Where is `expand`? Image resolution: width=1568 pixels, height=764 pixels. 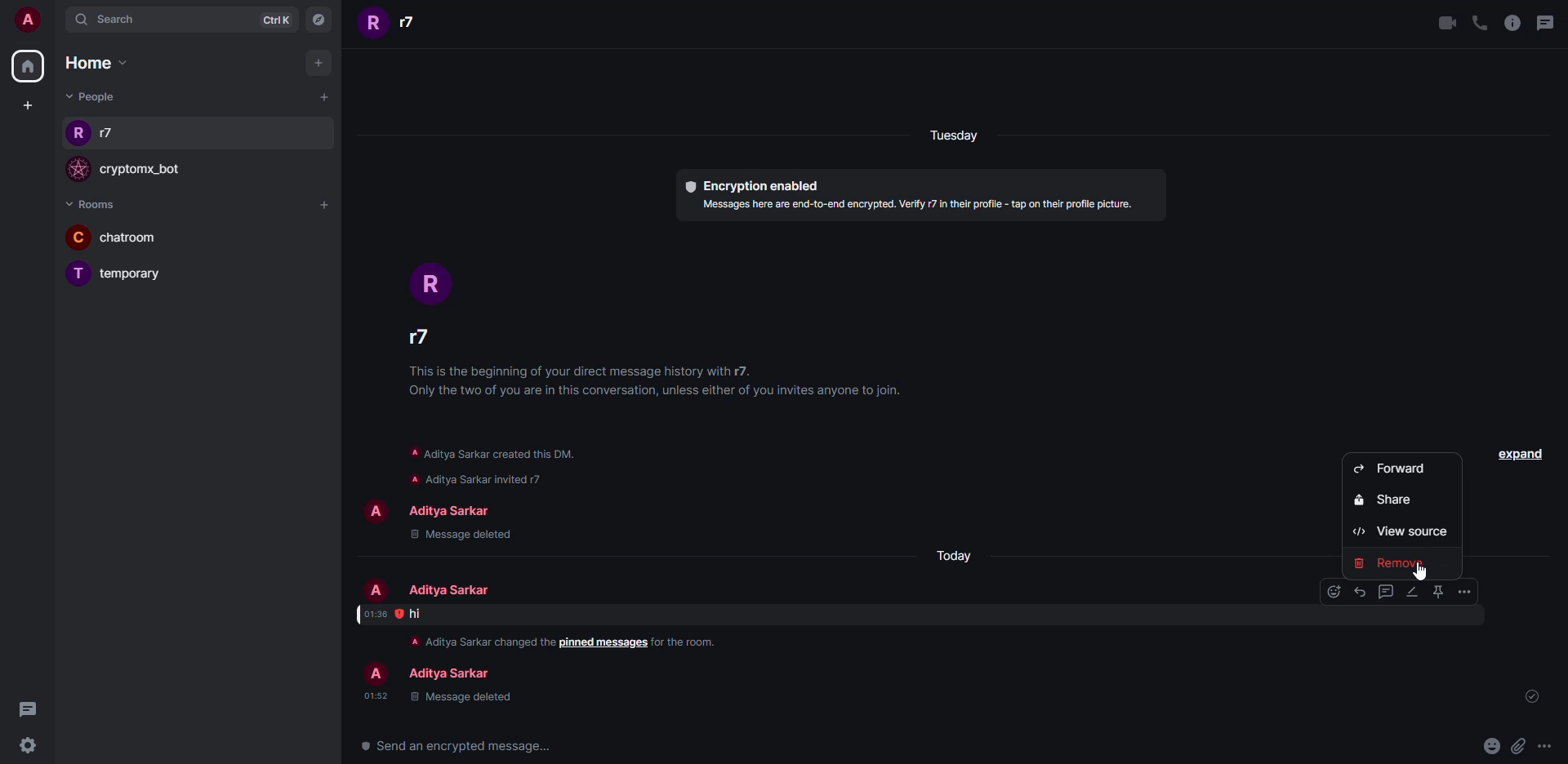
expand is located at coordinates (1518, 453).